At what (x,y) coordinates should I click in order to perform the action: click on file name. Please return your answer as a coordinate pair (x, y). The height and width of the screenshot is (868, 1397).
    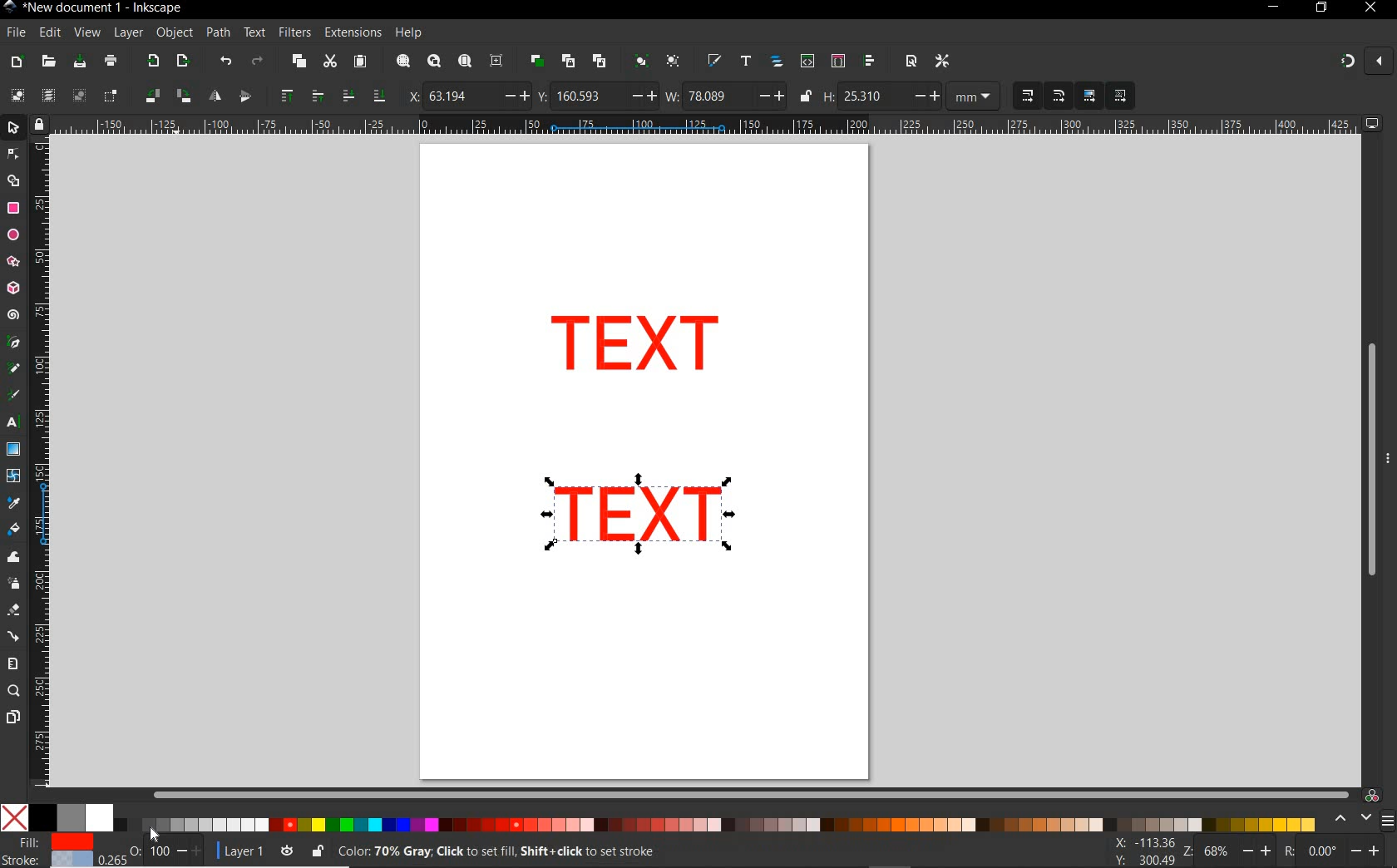
    Looking at the image, I should click on (93, 7).